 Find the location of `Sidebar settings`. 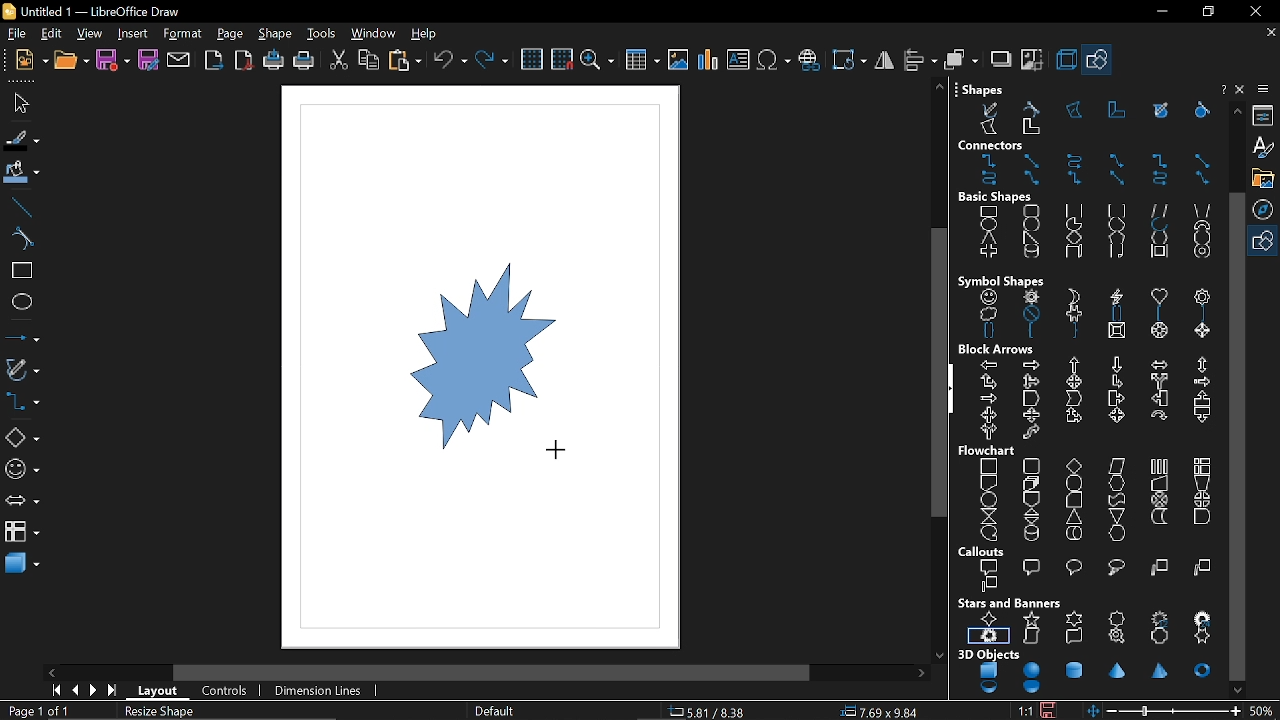

Sidebar settings is located at coordinates (1266, 89).